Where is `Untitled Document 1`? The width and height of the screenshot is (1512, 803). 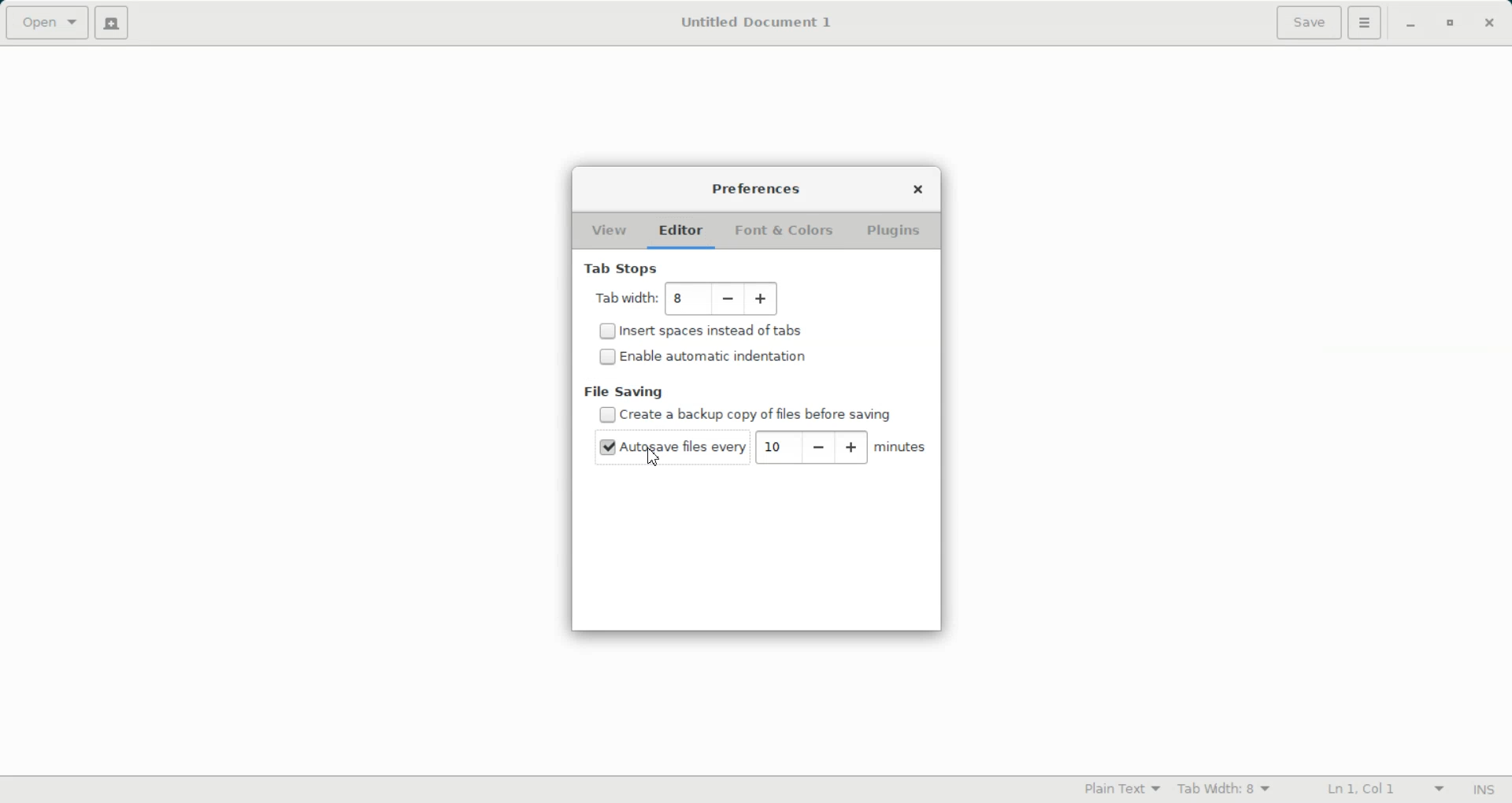
Untitled Document 1 is located at coordinates (753, 22).